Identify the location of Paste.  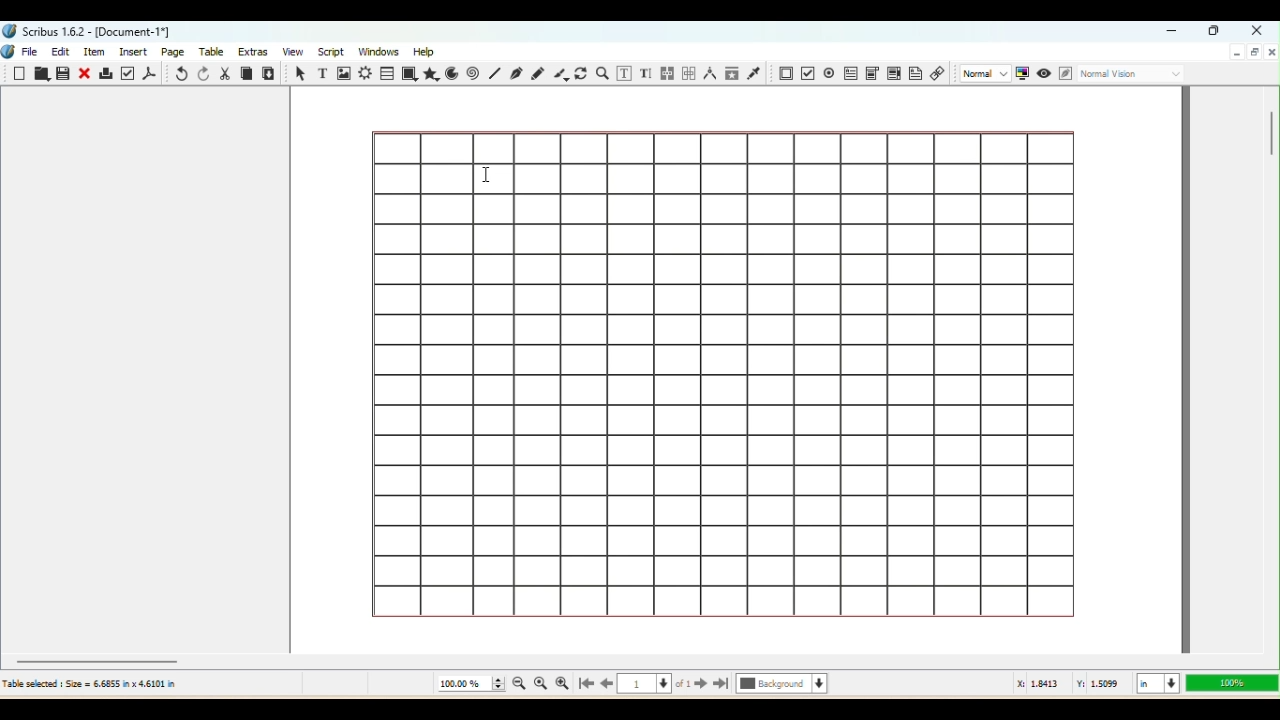
(270, 73).